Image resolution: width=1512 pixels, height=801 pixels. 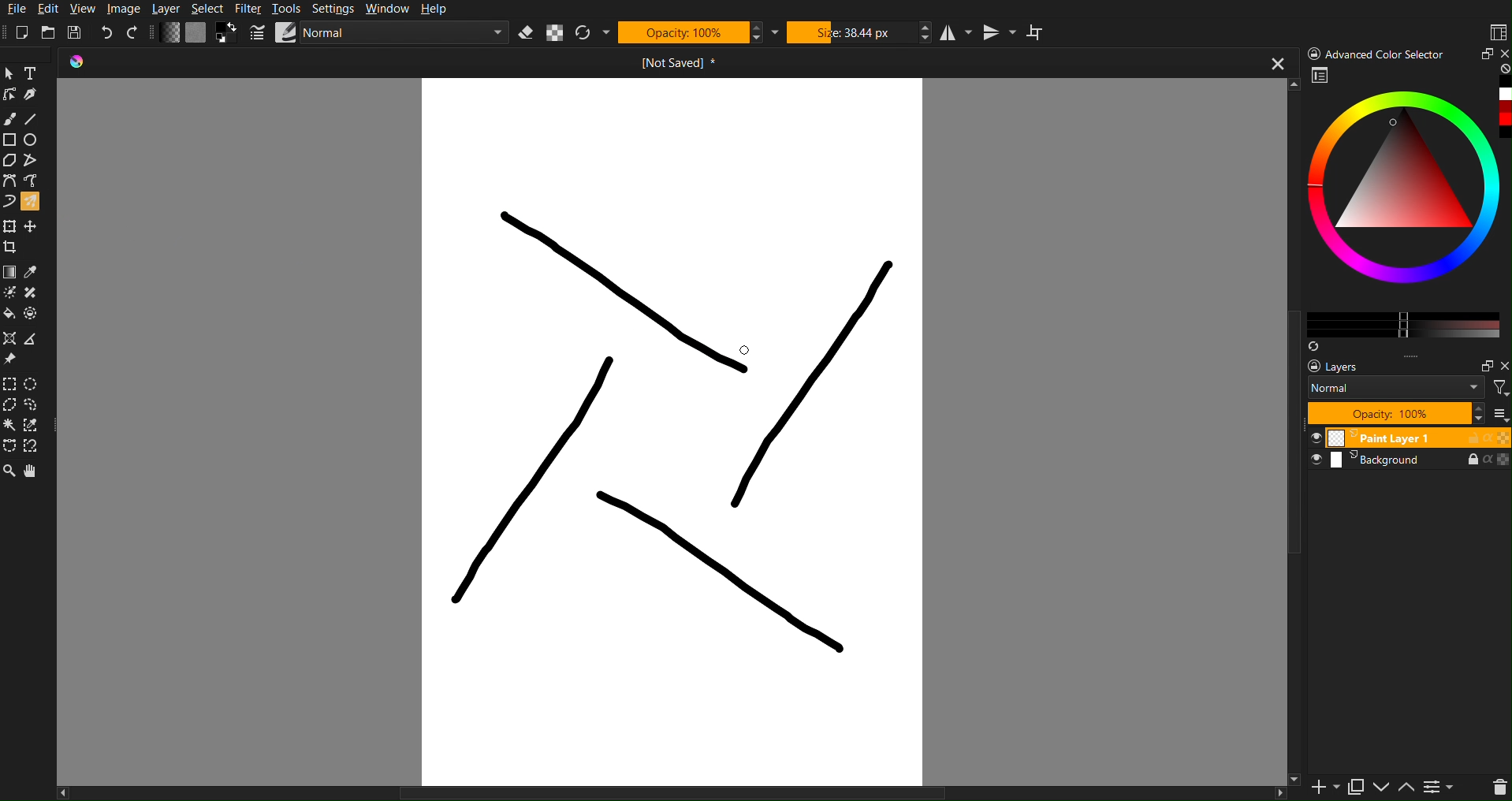 What do you see at coordinates (11, 405) in the screenshot?
I see `Polygon selection Tool` at bounding box center [11, 405].